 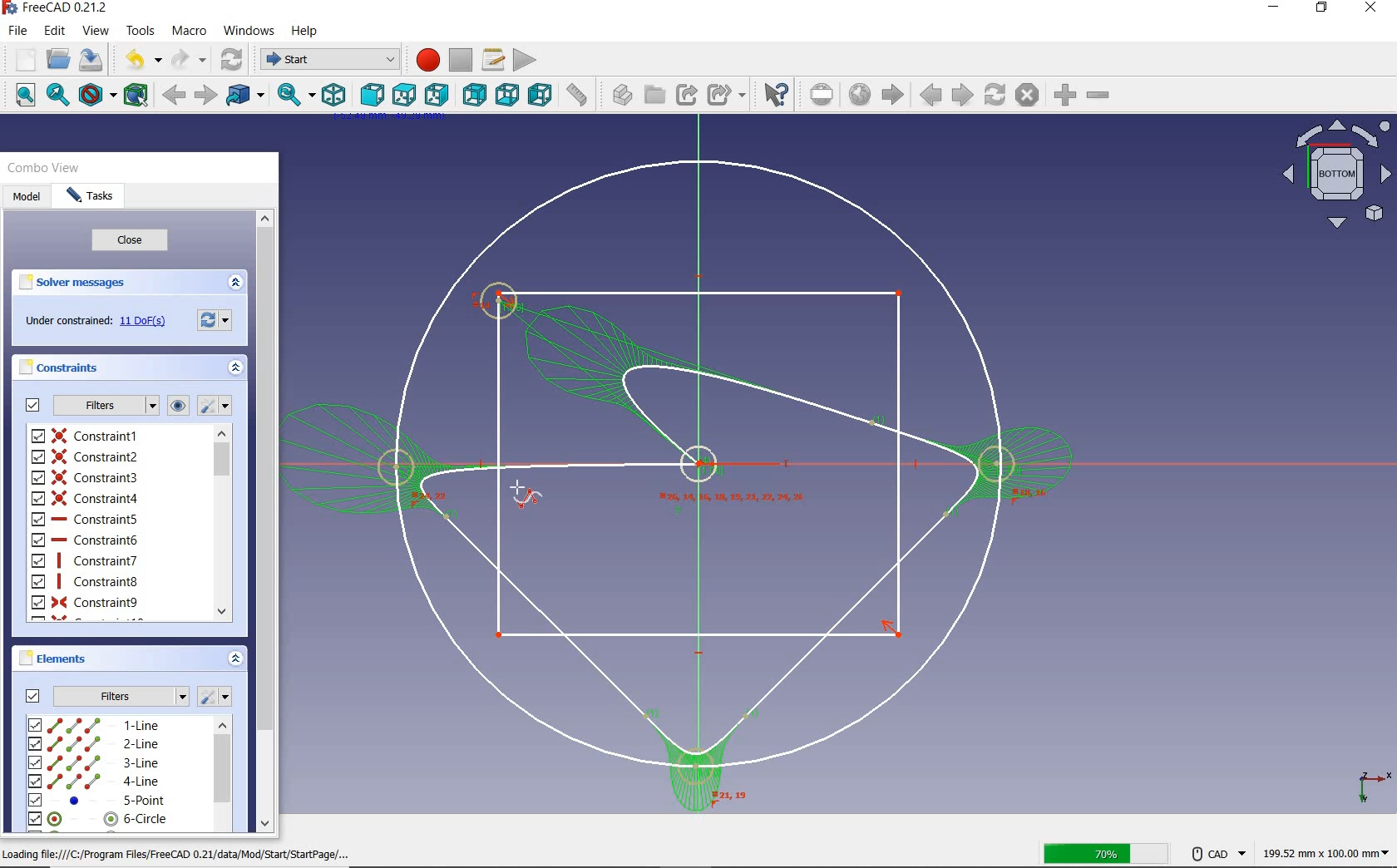 I want to click on constraint6, so click(x=86, y=540).